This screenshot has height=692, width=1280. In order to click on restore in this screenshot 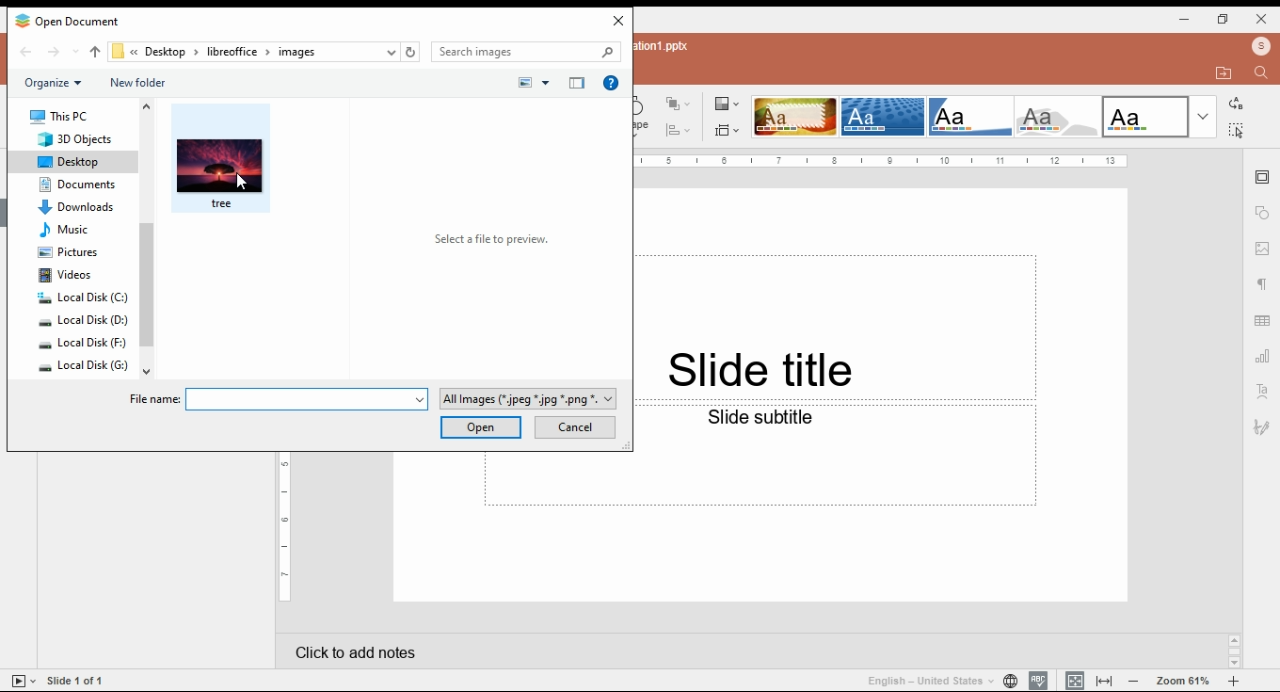, I will do `click(1222, 20)`.